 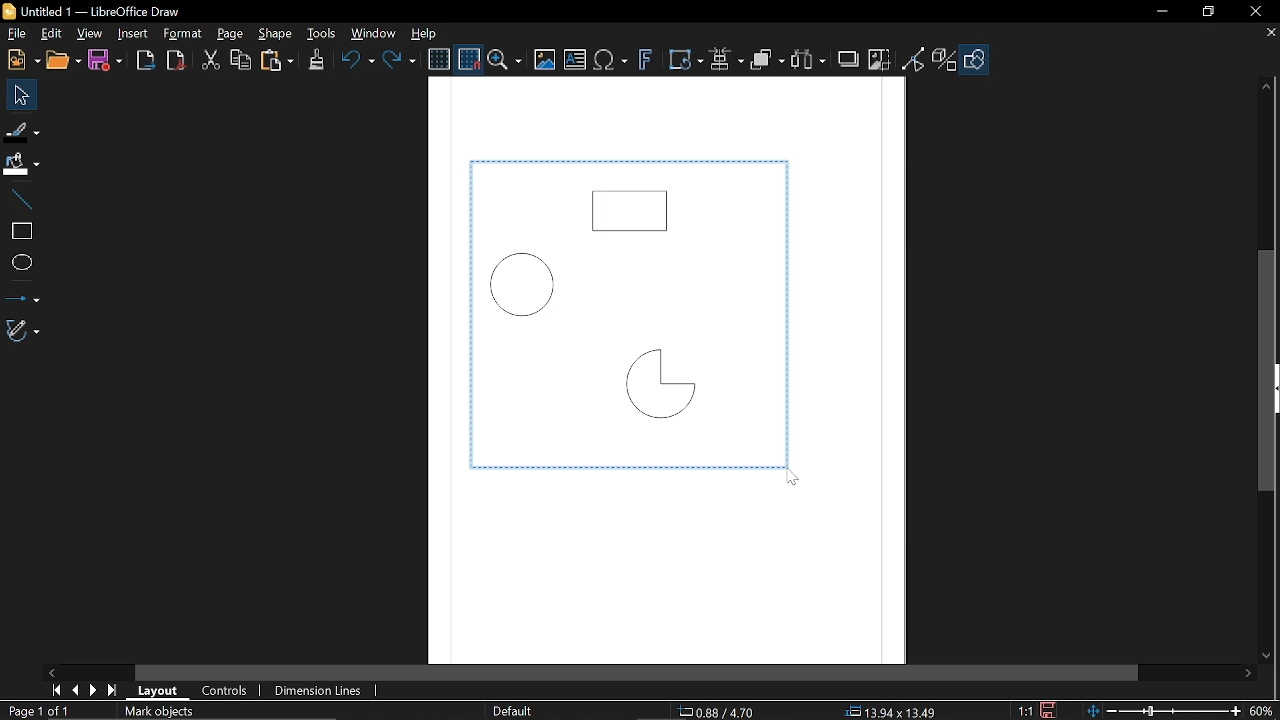 What do you see at coordinates (322, 34) in the screenshot?
I see `Tools` at bounding box center [322, 34].